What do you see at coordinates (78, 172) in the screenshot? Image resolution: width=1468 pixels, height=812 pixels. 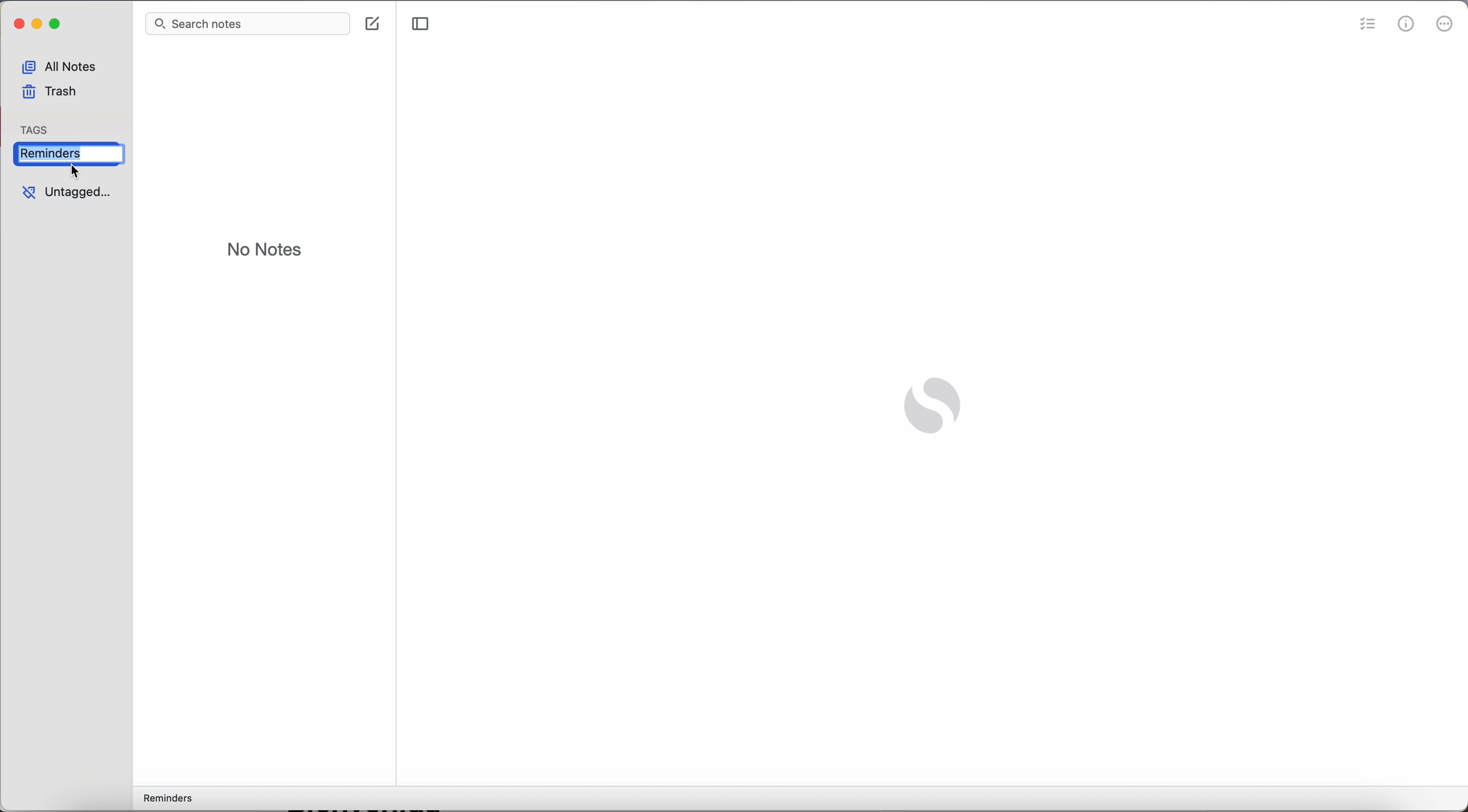 I see `cursor` at bounding box center [78, 172].